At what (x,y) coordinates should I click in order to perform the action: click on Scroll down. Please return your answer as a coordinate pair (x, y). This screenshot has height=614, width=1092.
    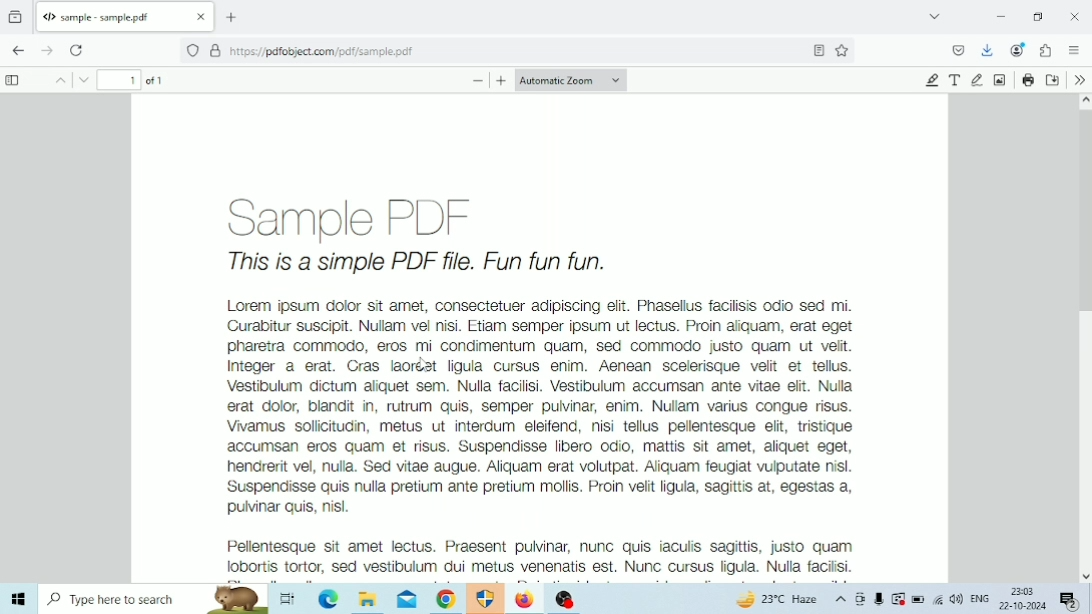
    Looking at the image, I should click on (1085, 576).